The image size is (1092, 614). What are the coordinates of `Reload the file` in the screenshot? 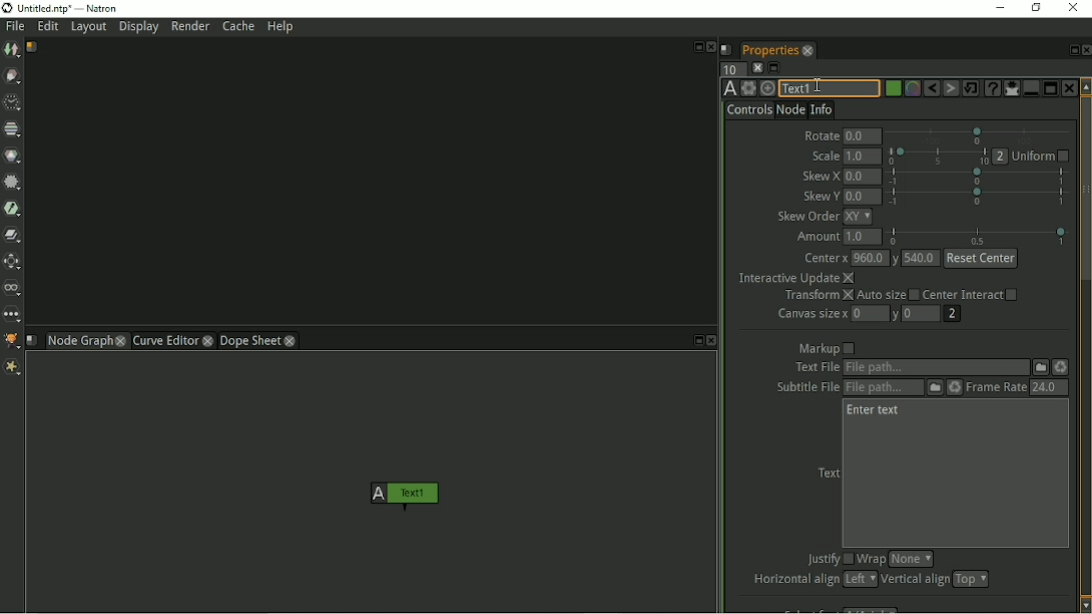 It's located at (955, 387).